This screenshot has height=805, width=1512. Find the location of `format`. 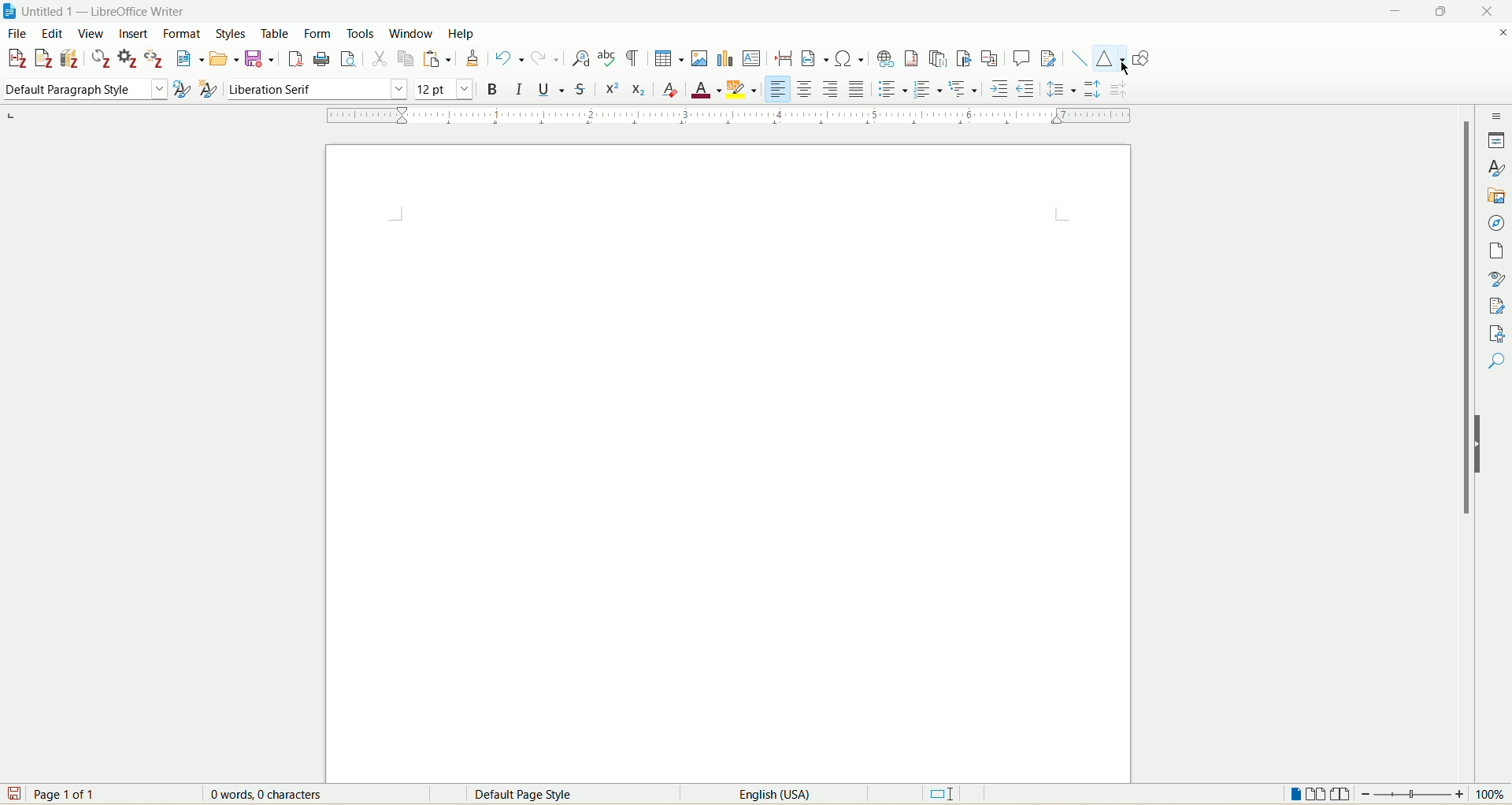

format is located at coordinates (185, 34).